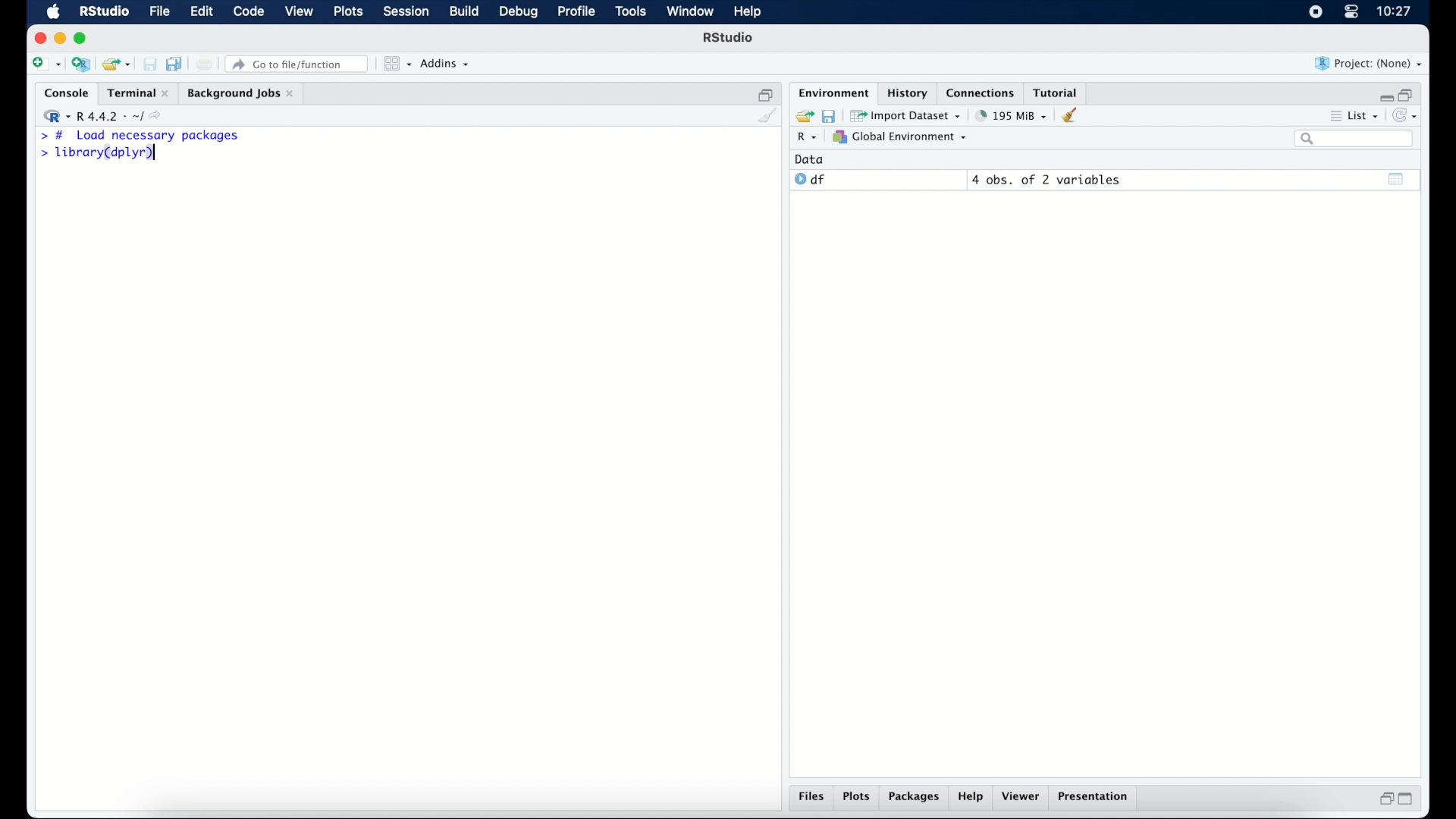 The height and width of the screenshot is (819, 1456). What do you see at coordinates (81, 65) in the screenshot?
I see `create new project` at bounding box center [81, 65].